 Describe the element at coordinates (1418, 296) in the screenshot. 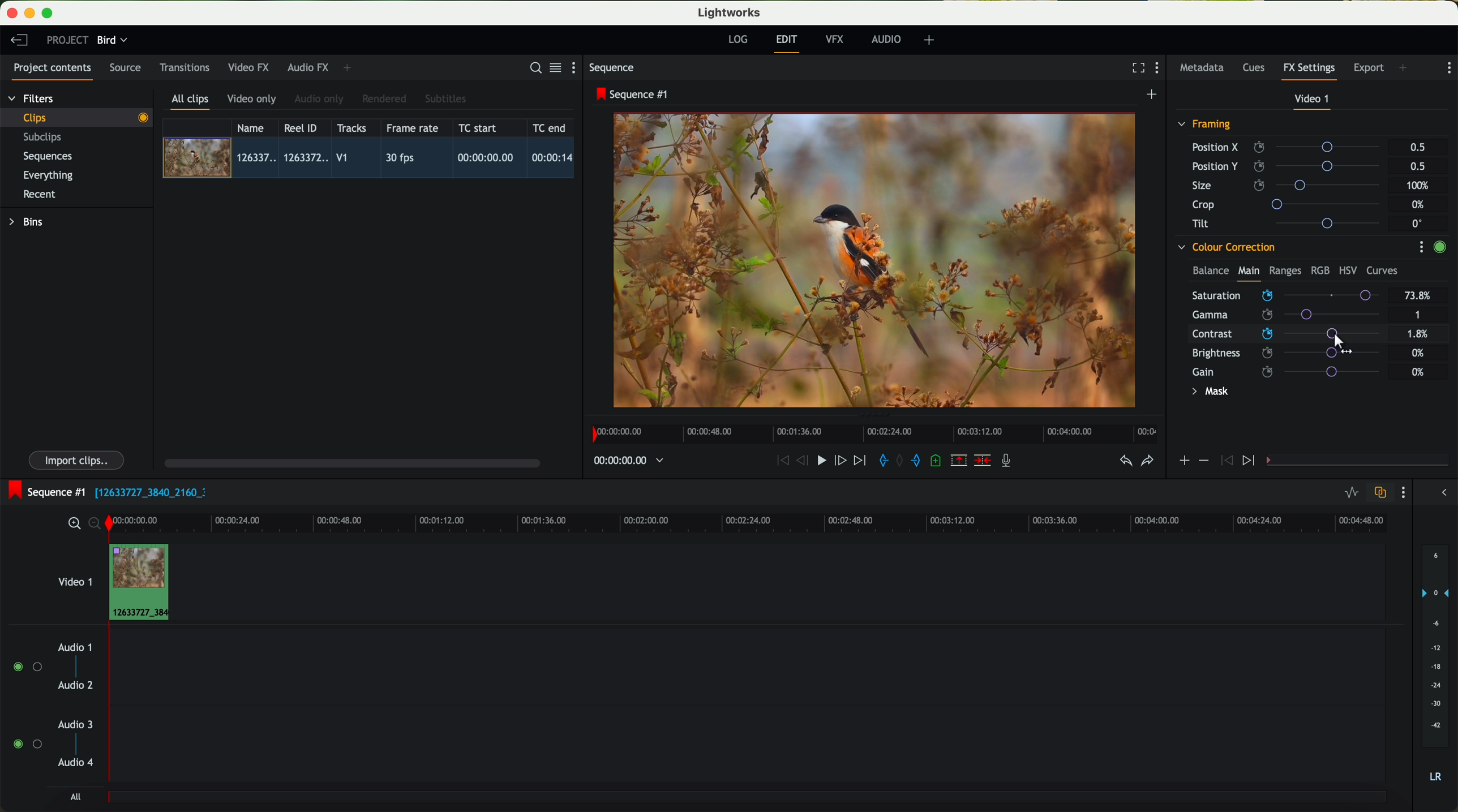

I see `73.8%` at that location.